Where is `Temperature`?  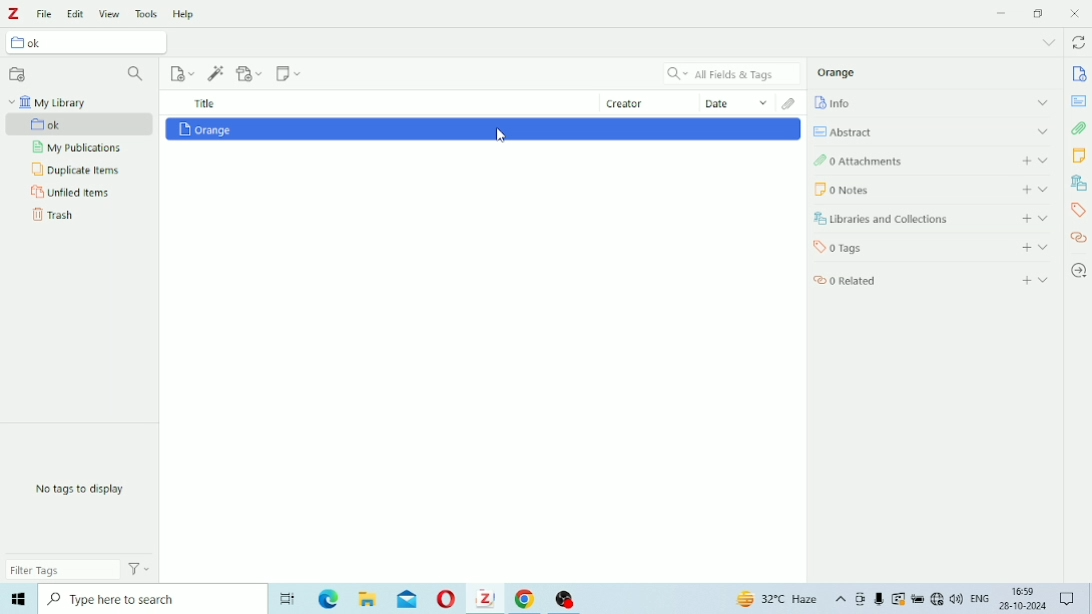
Temperature is located at coordinates (779, 600).